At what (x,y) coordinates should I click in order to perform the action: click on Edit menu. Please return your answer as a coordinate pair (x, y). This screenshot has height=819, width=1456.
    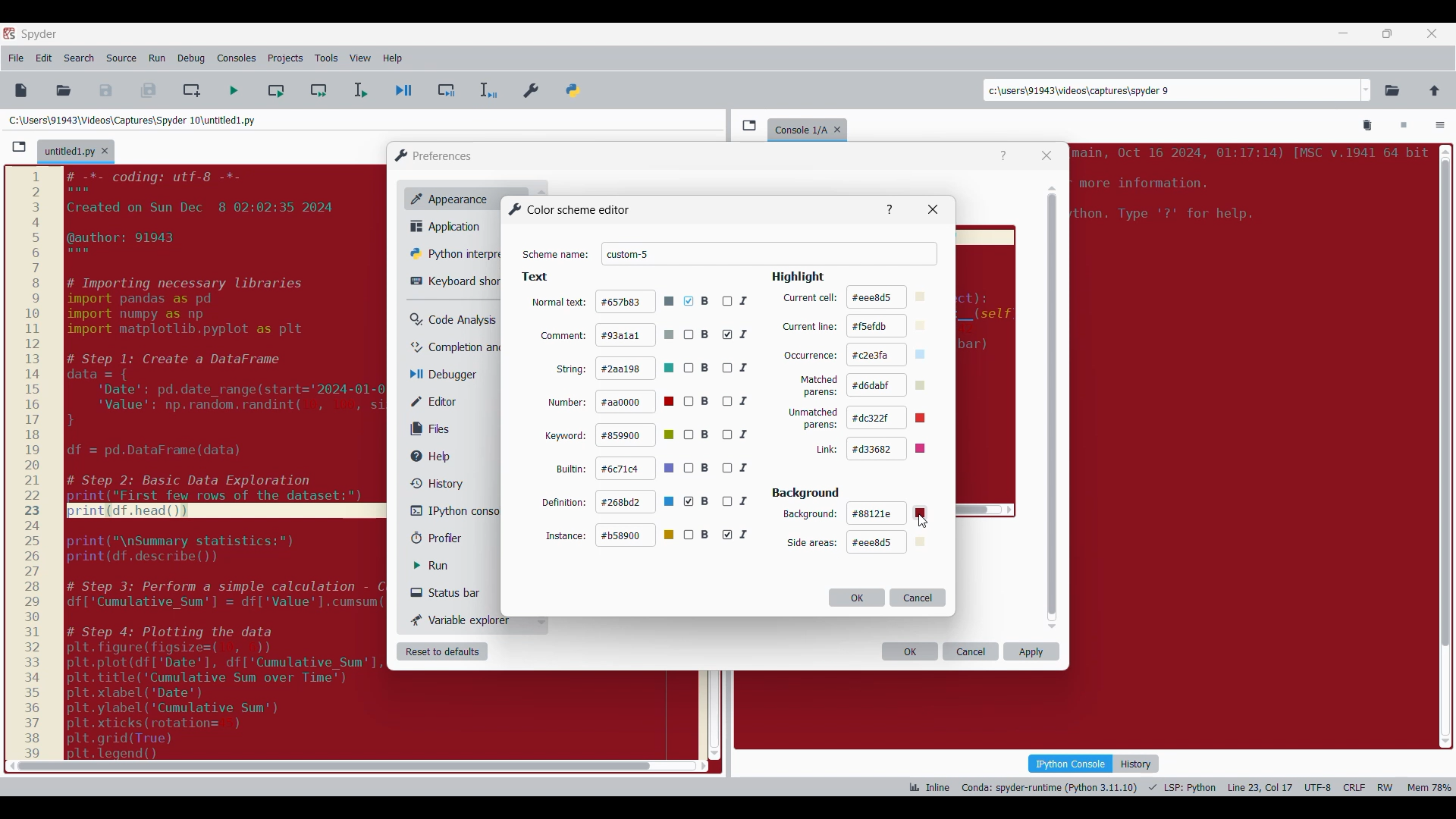
    Looking at the image, I should click on (44, 58).